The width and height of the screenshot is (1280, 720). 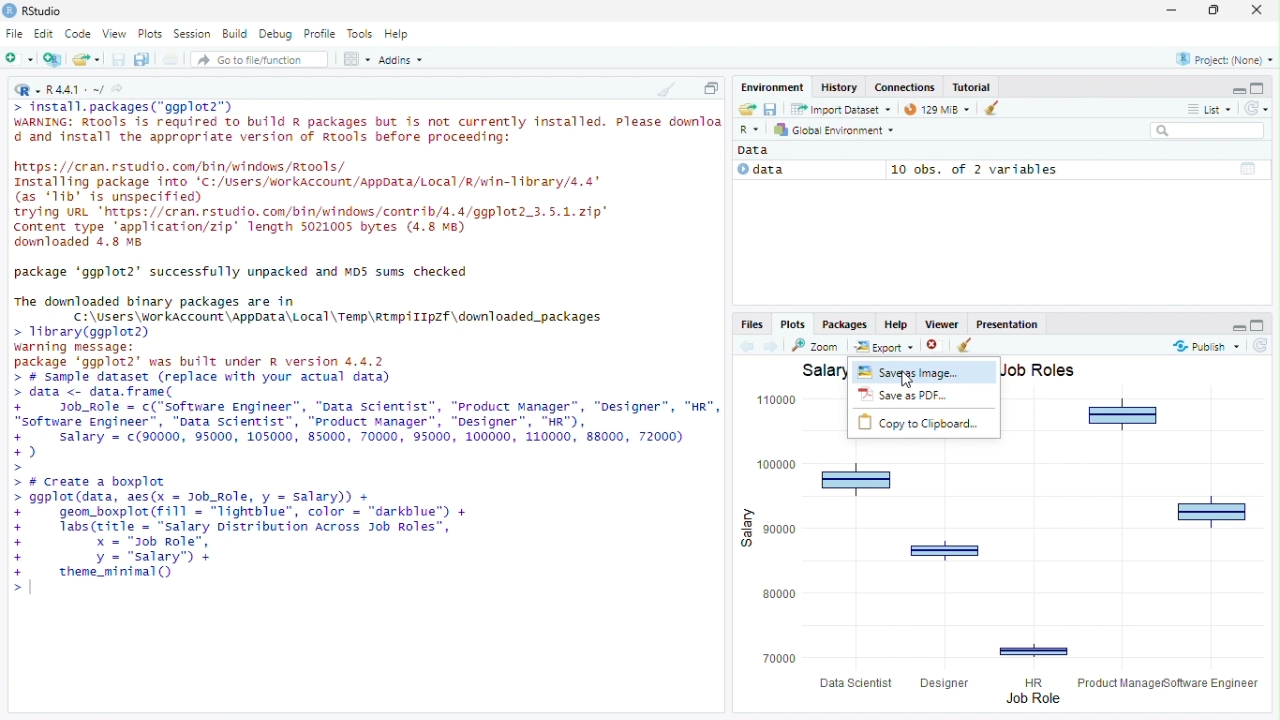 I want to click on View the current working directory, so click(x=117, y=89).